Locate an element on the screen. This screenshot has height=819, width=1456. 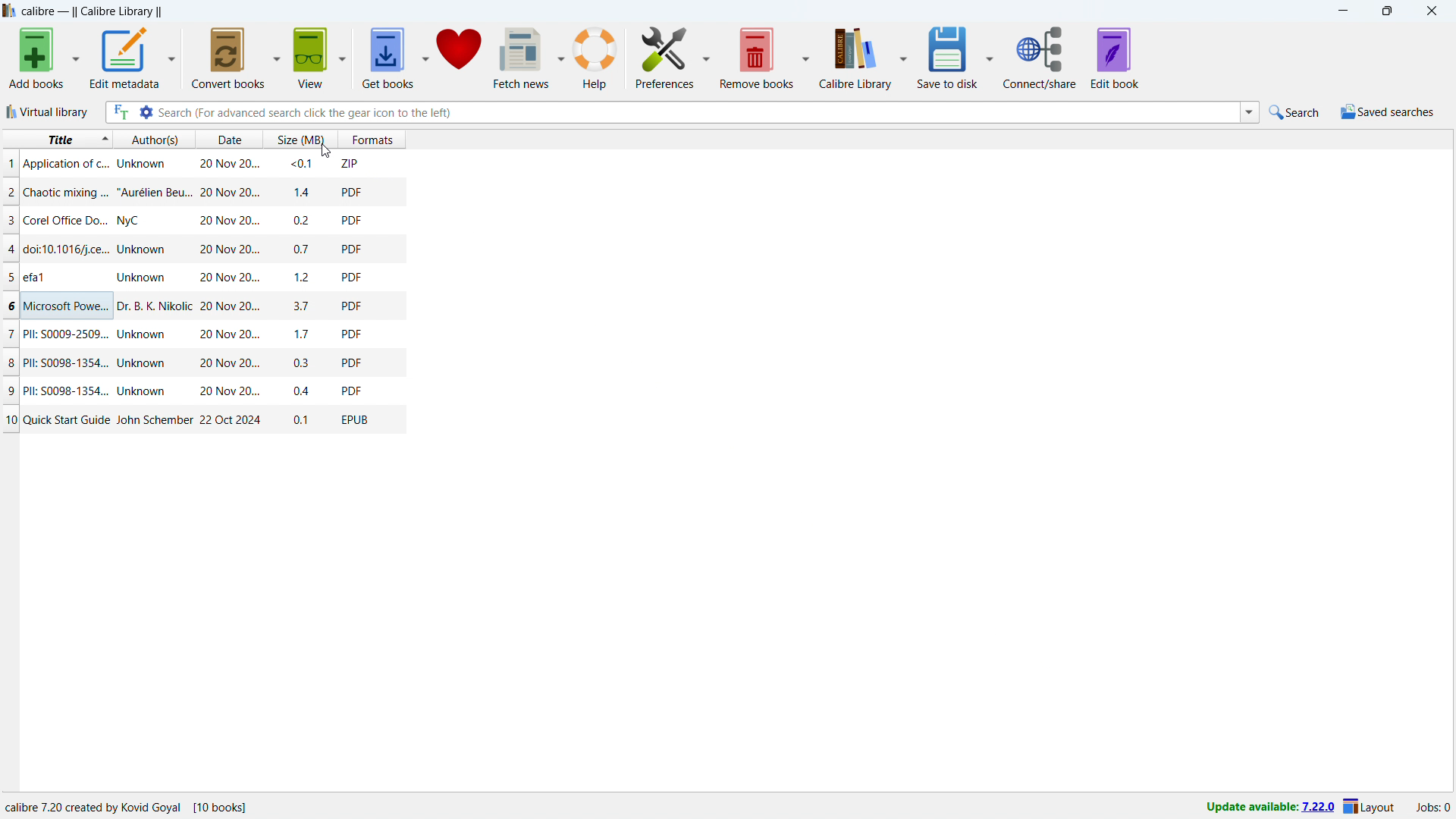
9 is located at coordinates (9, 390).